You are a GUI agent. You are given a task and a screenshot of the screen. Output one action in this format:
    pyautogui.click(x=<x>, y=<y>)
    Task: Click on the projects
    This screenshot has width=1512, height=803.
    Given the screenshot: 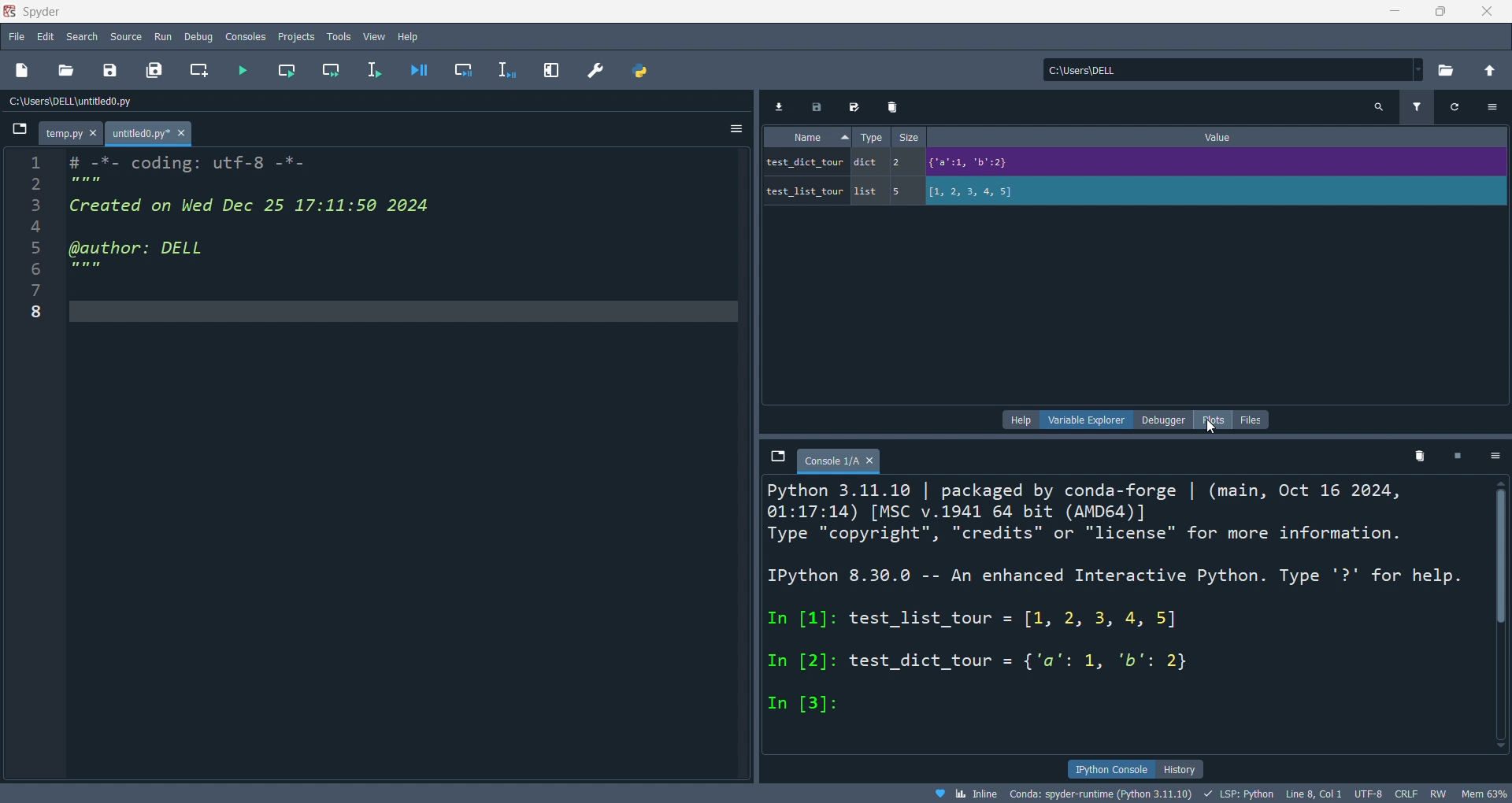 What is the action you would take?
    pyautogui.click(x=293, y=35)
    